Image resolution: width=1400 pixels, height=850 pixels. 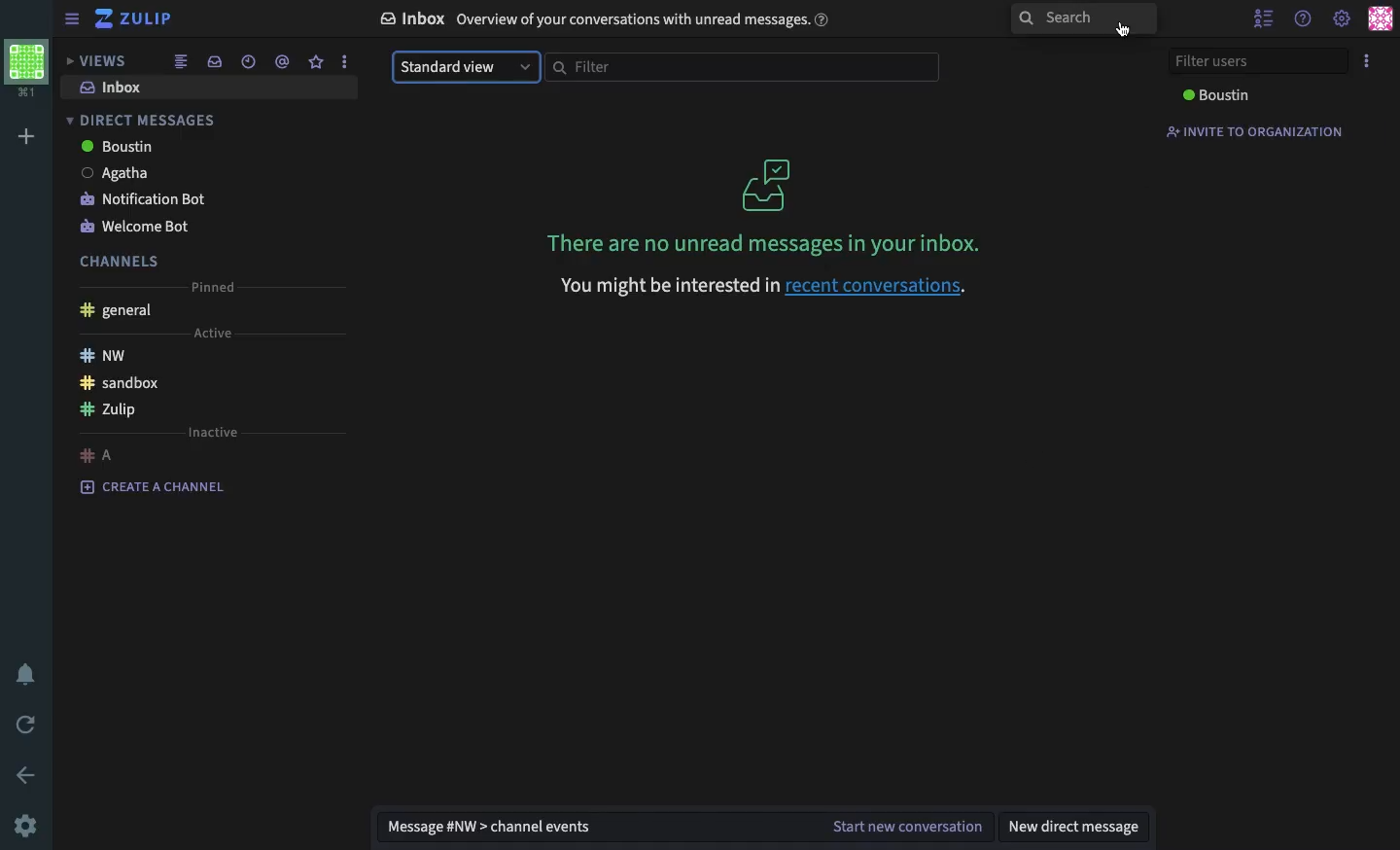 I want to click on options, so click(x=1369, y=62).